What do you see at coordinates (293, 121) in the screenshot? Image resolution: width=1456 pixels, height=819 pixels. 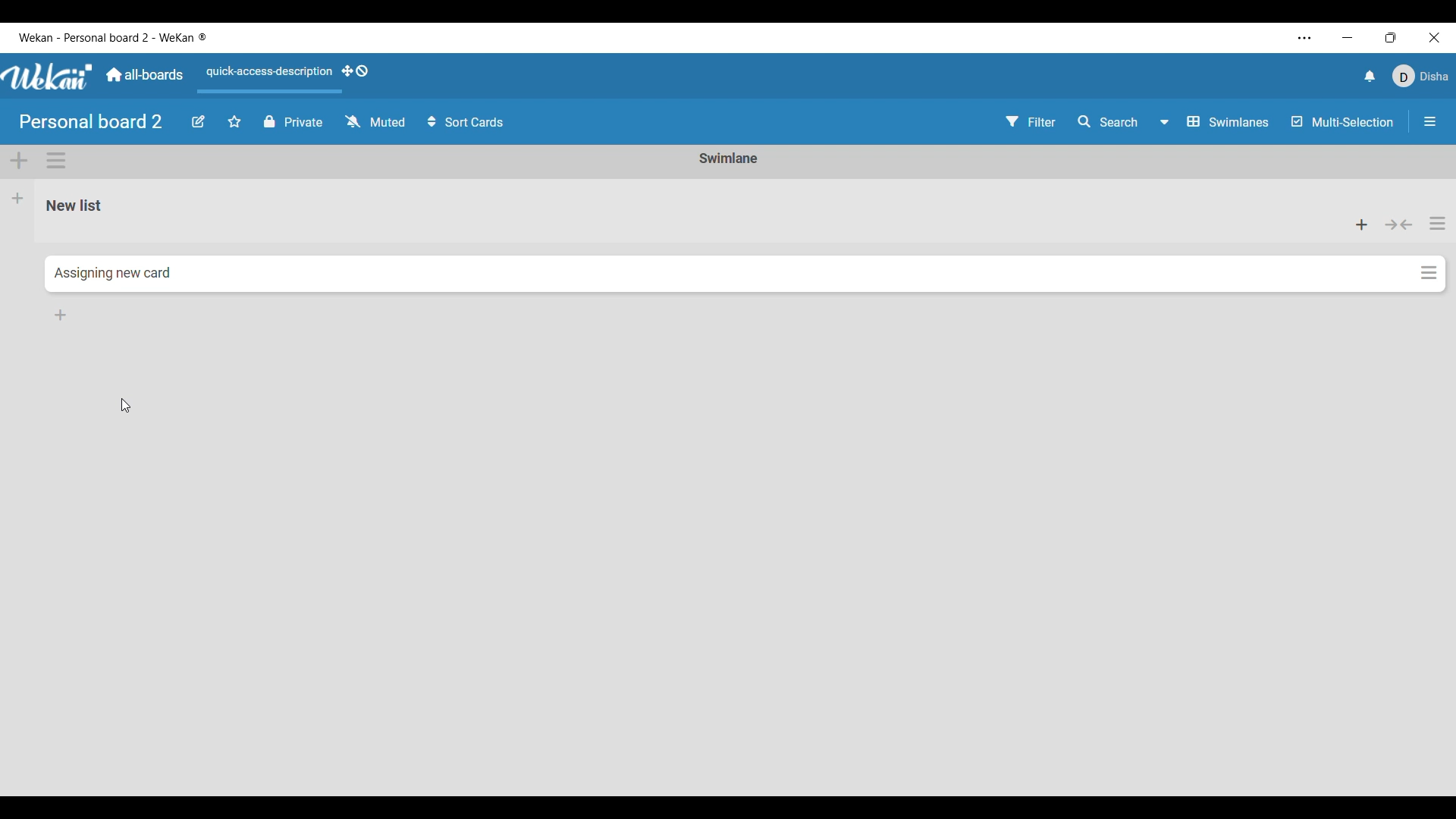 I see `Privacy toggle` at bounding box center [293, 121].